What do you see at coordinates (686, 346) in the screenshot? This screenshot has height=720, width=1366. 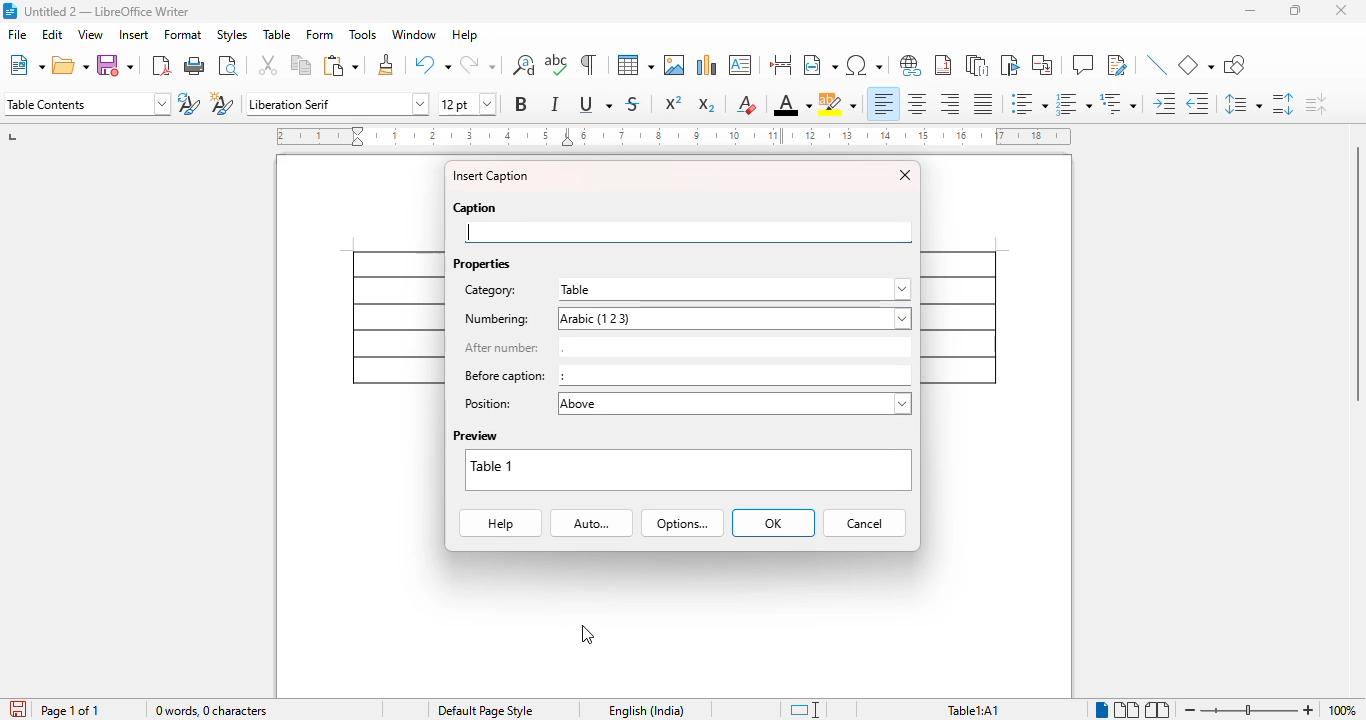 I see `after number:  . ` at bounding box center [686, 346].